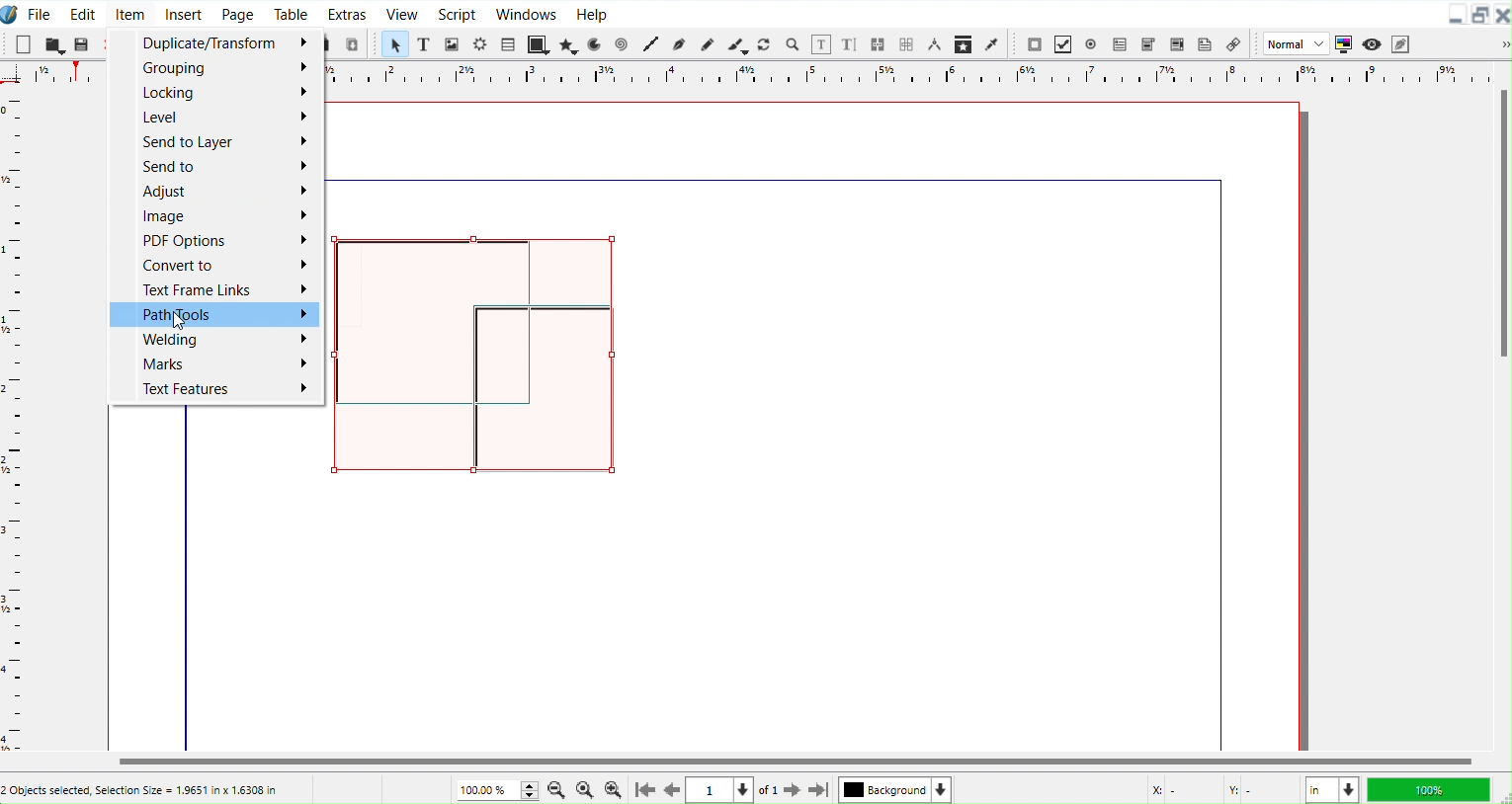 The height and width of the screenshot is (804, 1512). I want to click on Text Frame, so click(425, 43).